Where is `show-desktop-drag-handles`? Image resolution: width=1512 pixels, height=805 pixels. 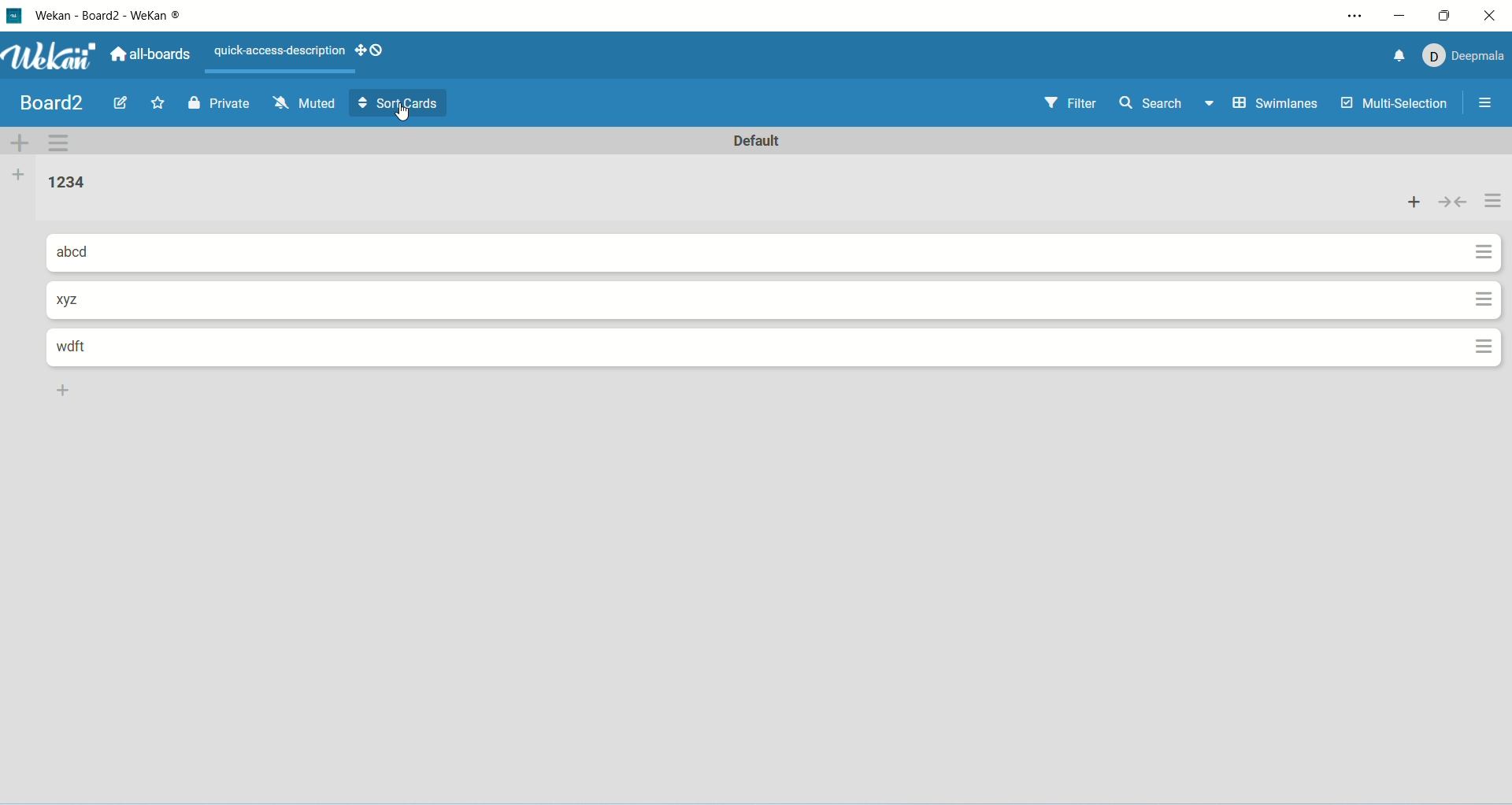 show-desktop-drag-handles is located at coordinates (372, 51).